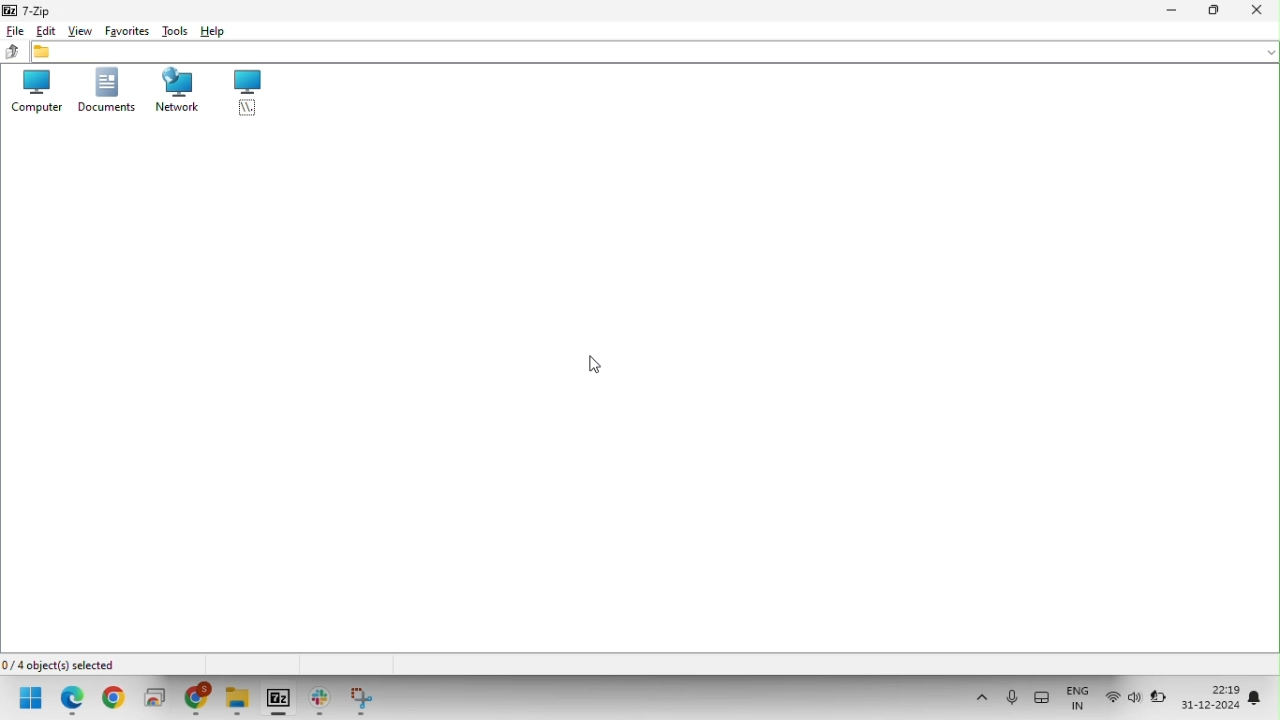 Image resolution: width=1280 pixels, height=720 pixels. I want to click on File, so click(13, 31).